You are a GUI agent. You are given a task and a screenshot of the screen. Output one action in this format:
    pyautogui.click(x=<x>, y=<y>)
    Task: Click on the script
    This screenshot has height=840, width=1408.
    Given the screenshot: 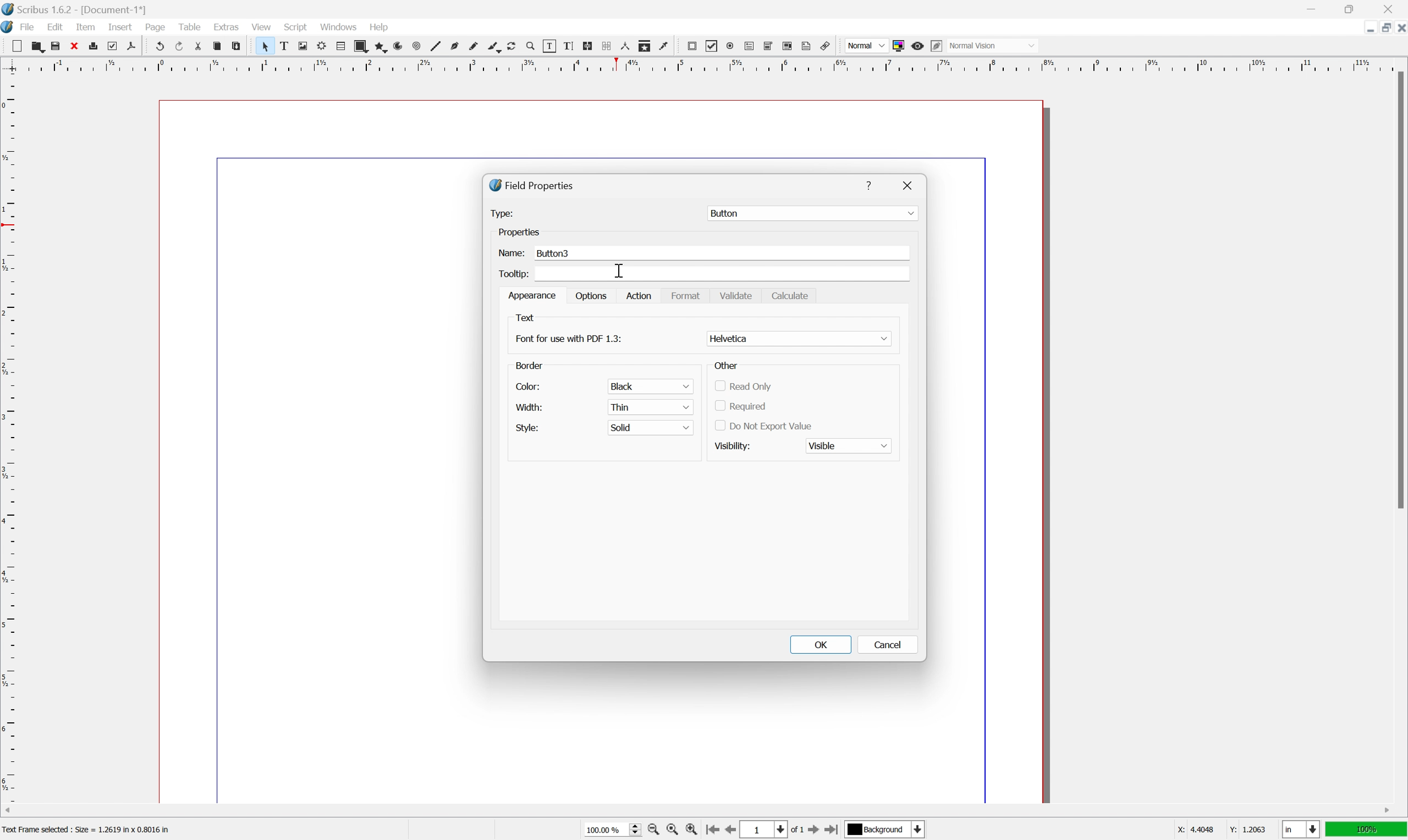 What is the action you would take?
    pyautogui.click(x=297, y=26)
    